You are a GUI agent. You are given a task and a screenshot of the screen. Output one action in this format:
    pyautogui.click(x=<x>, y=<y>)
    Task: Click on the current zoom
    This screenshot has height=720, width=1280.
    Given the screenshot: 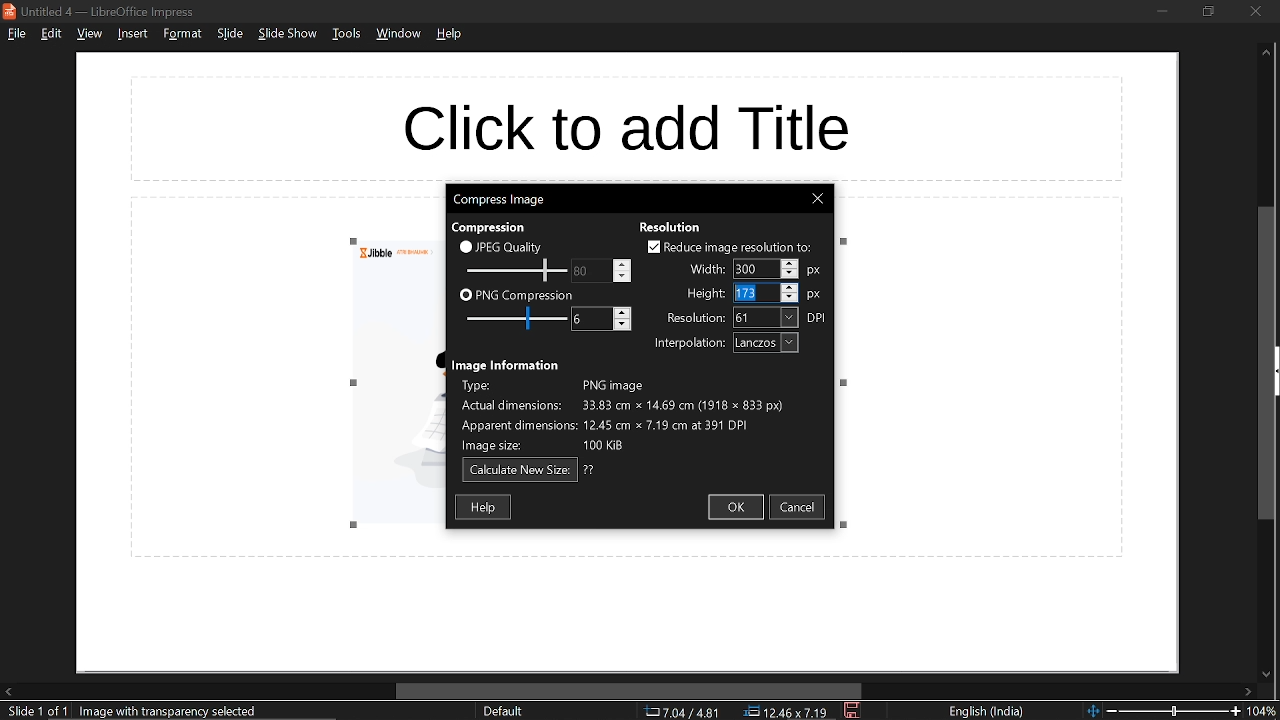 What is the action you would take?
    pyautogui.click(x=1265, y=711)
    